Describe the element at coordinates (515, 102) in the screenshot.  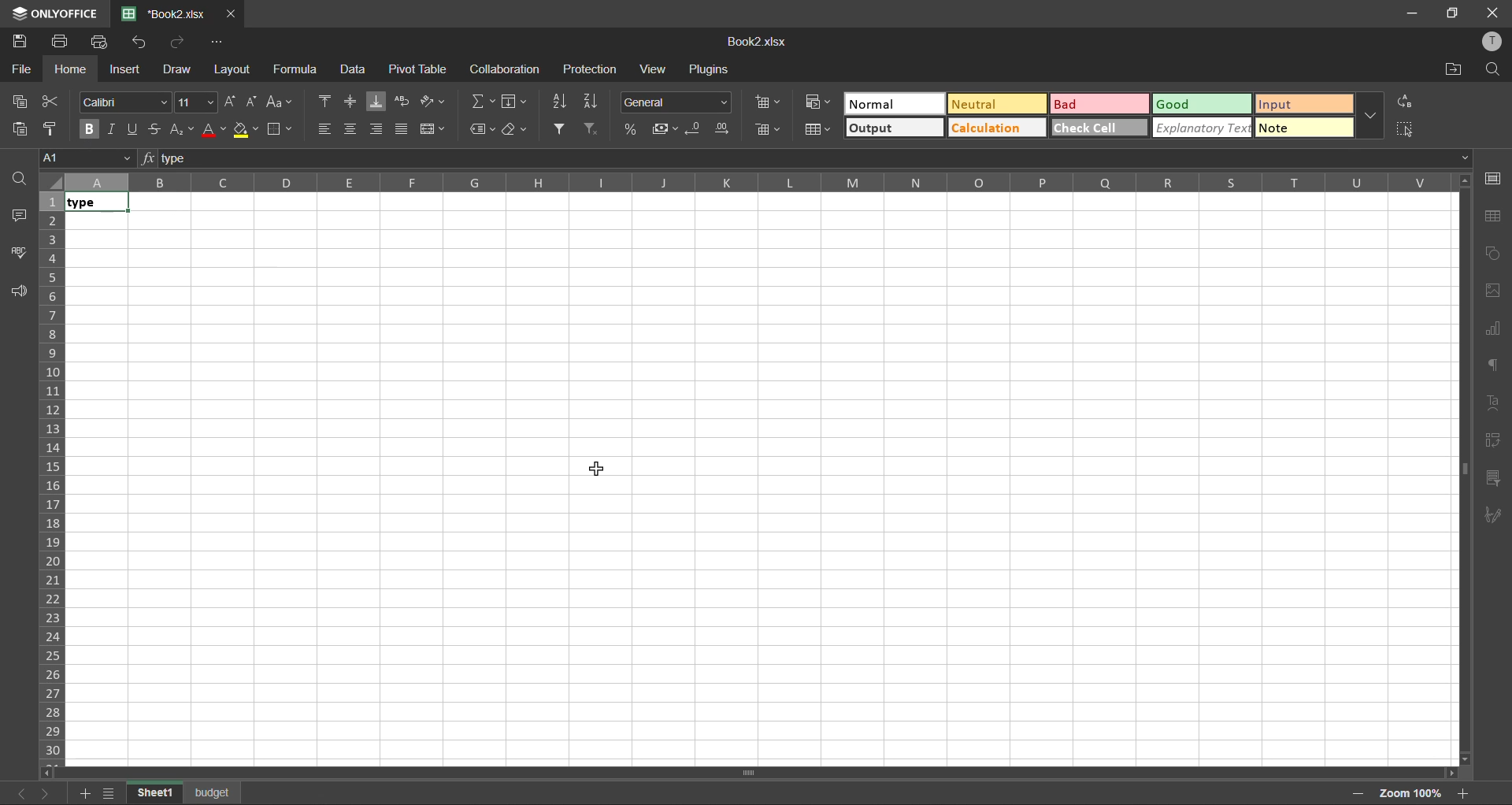
I see `fields` at that location.